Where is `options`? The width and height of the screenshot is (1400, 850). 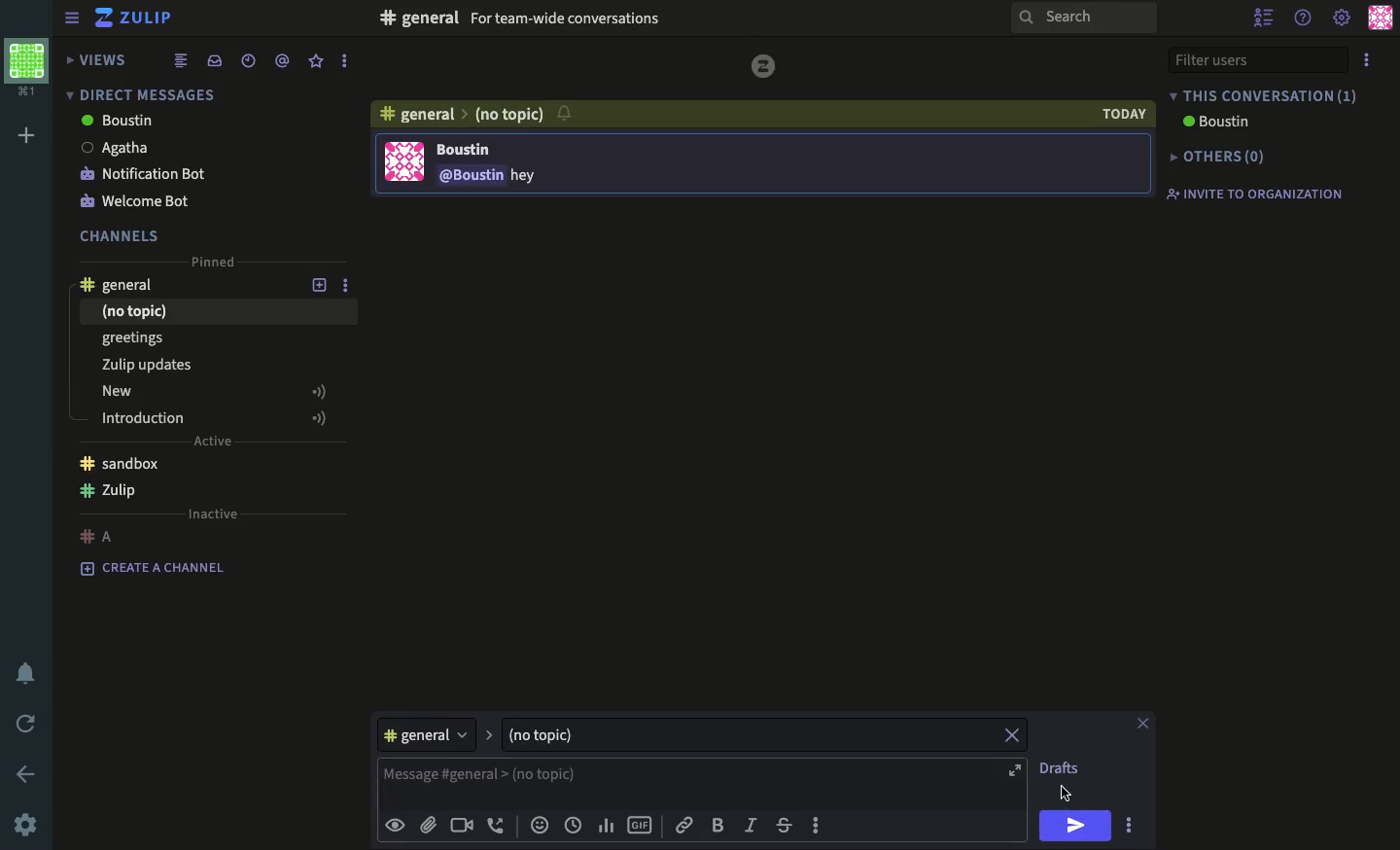 options is located at coordinates (818, 824).